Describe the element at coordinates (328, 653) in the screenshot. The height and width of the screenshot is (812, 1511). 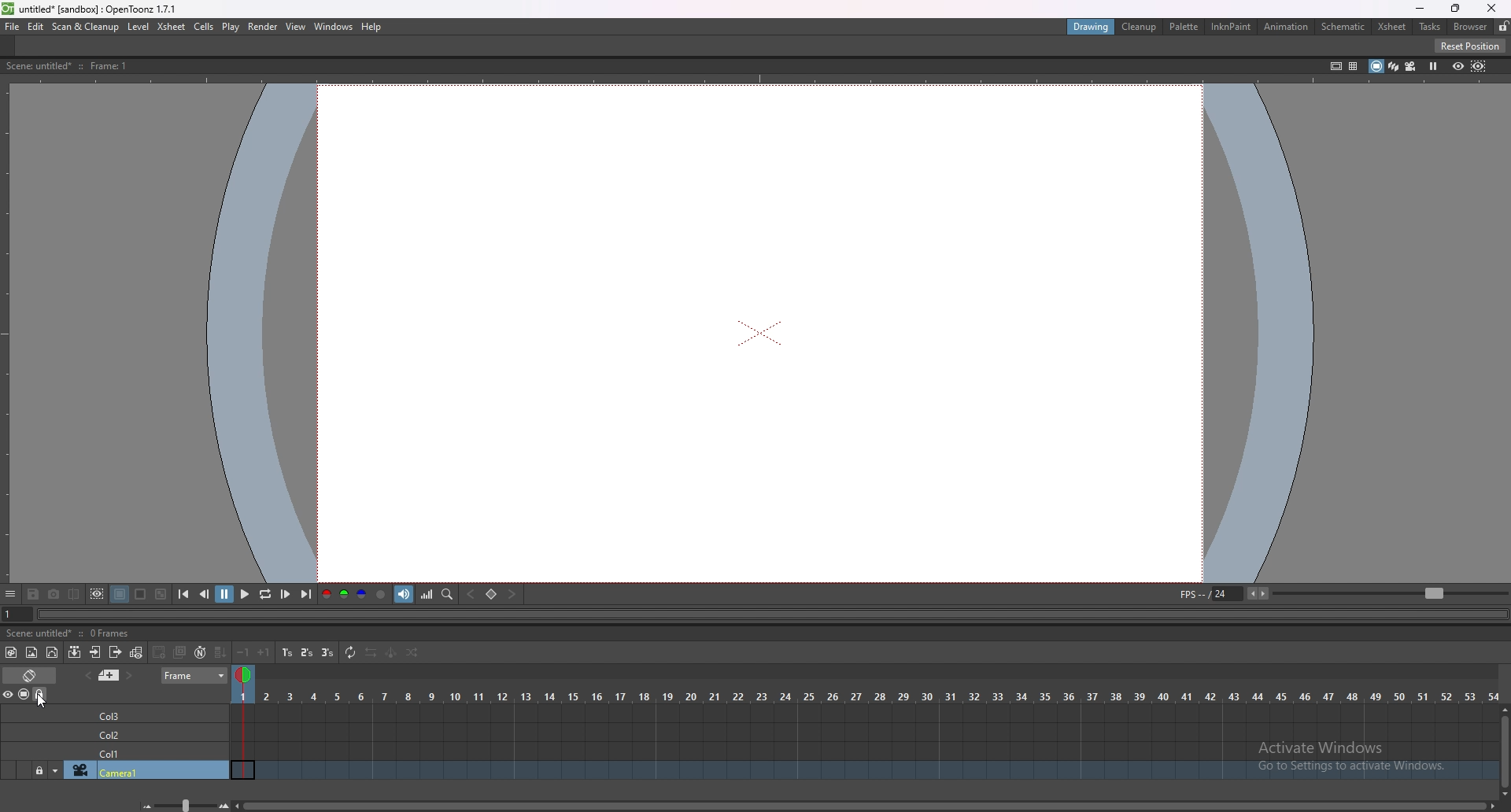
I see `reframe on 3s` at that location.